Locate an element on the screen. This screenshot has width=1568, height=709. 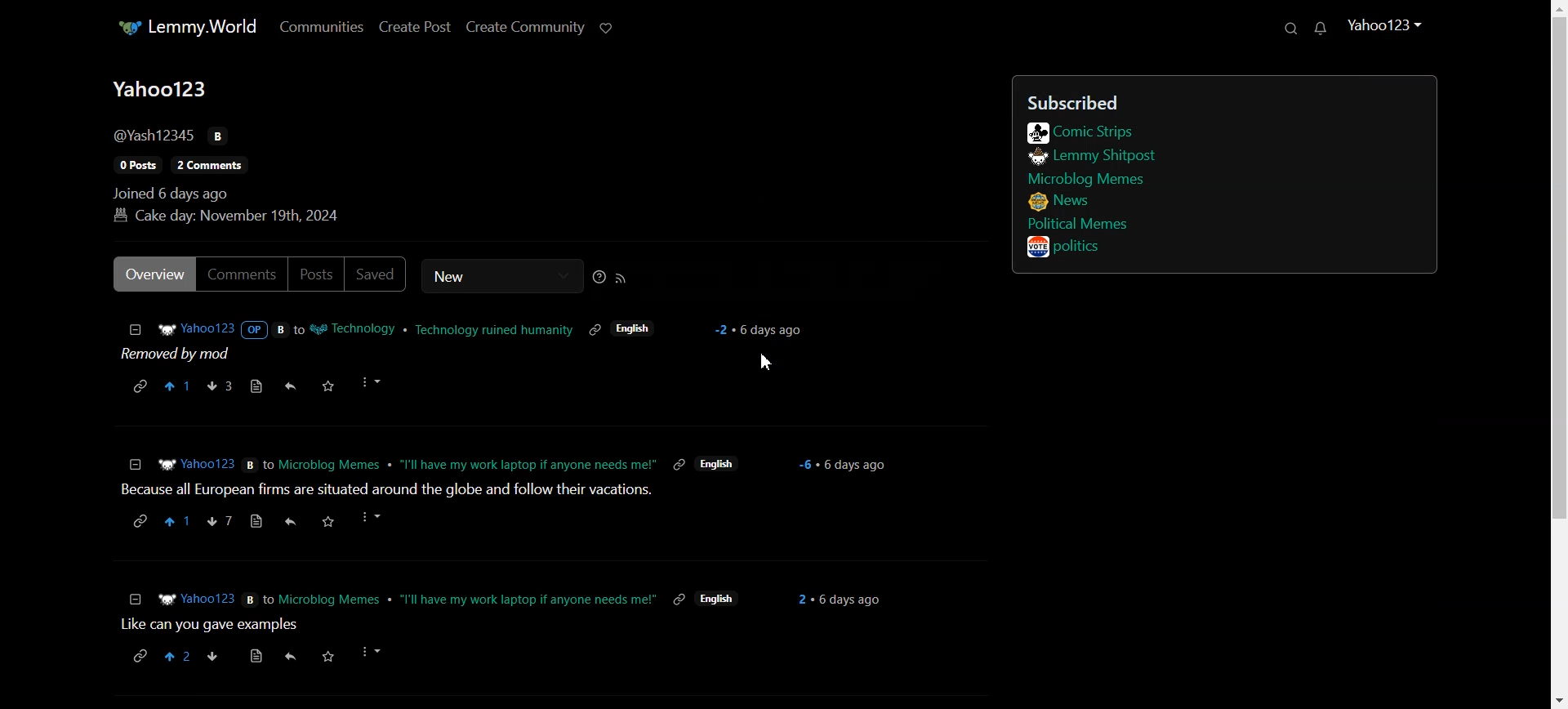
Microblog memes is located at coordinates (332, 465).